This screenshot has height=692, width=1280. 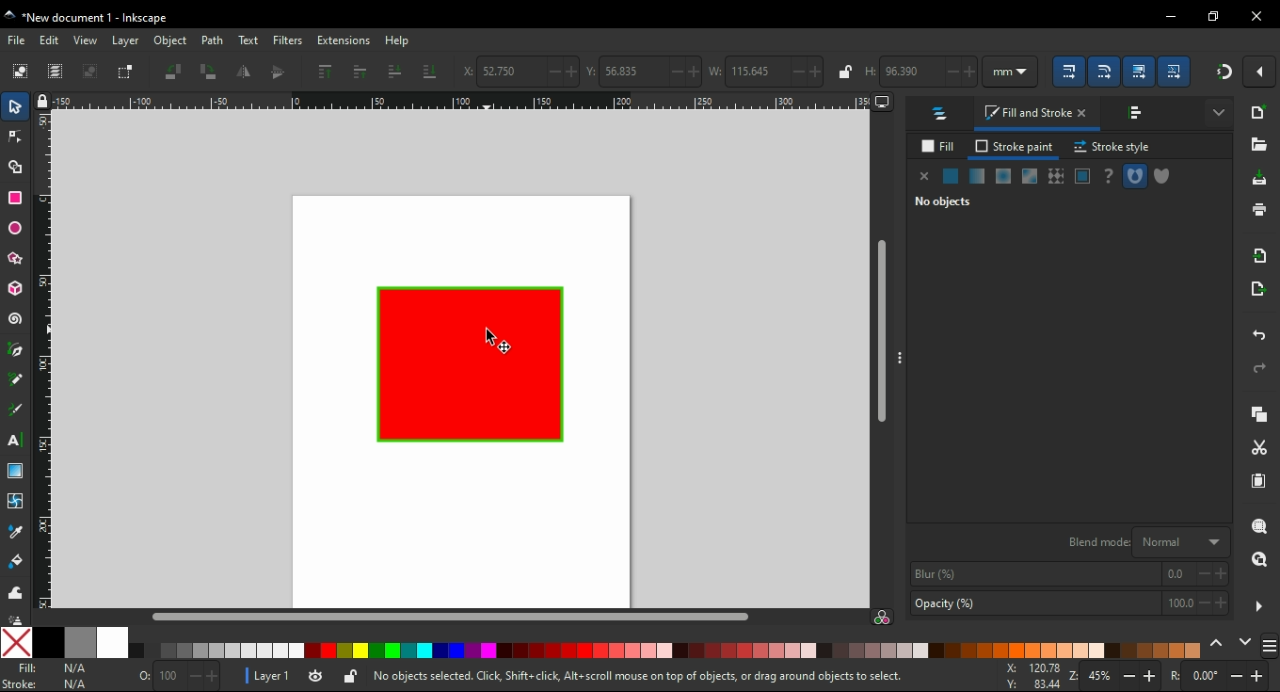 What do you see at coordinates (844, 72) in the screenshot?
I see `lock` at bounding box center [844, 72].